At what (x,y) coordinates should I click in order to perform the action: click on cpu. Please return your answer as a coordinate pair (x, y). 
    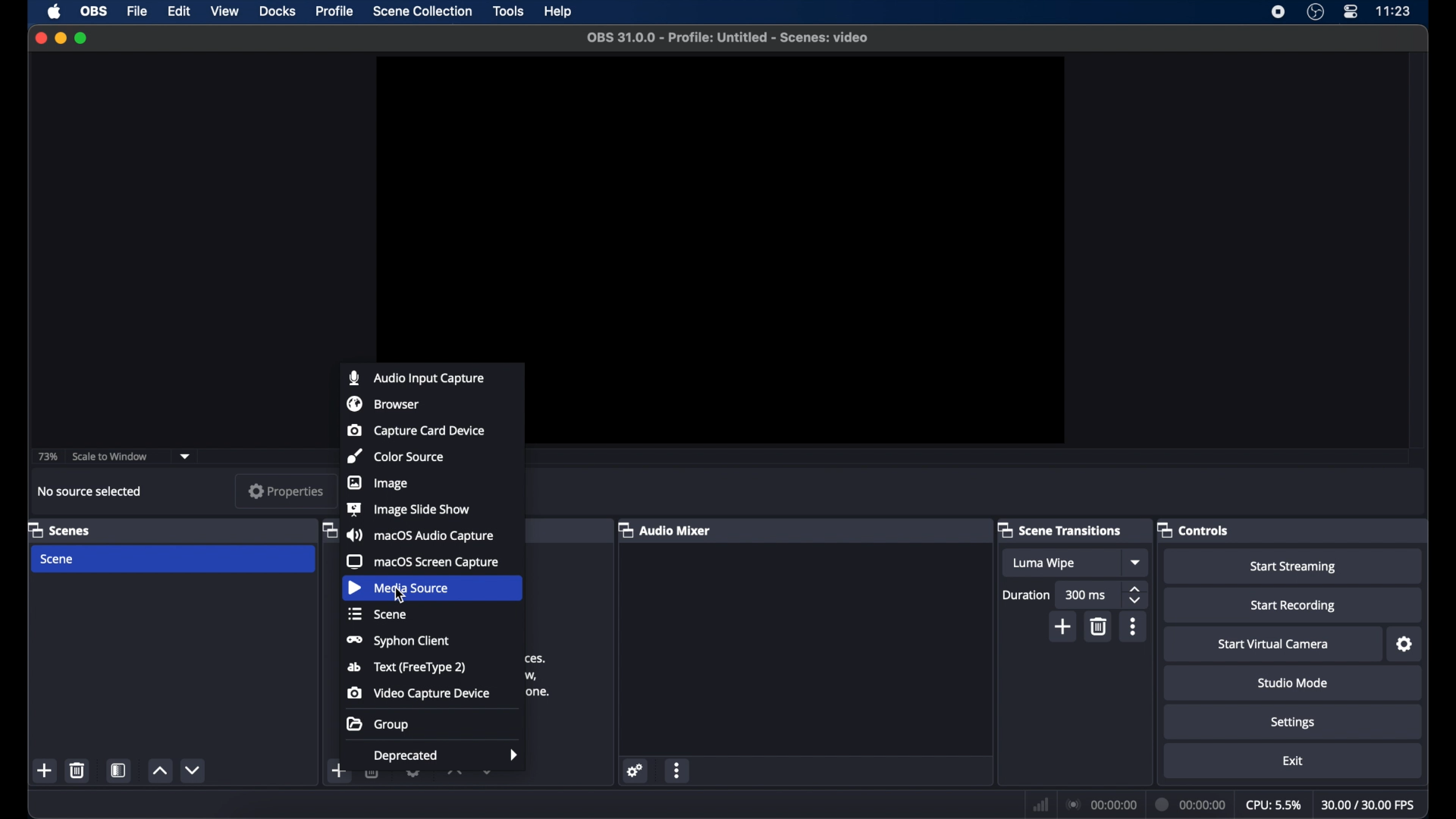
    Looking at the image, I should click on (1274, 805).